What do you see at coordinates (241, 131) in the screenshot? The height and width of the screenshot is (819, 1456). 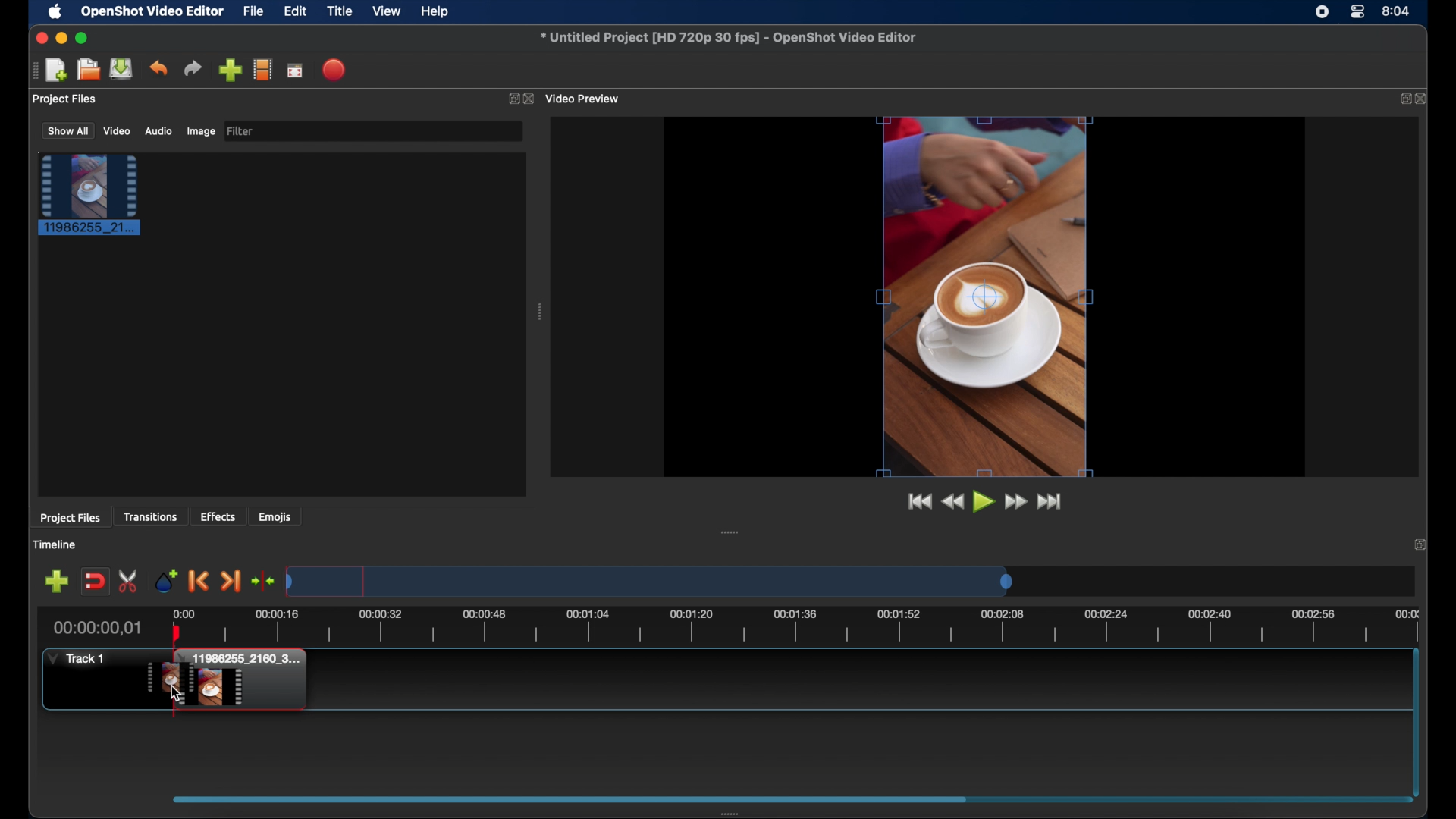 I see `filter` at bounding box center [241, 131].